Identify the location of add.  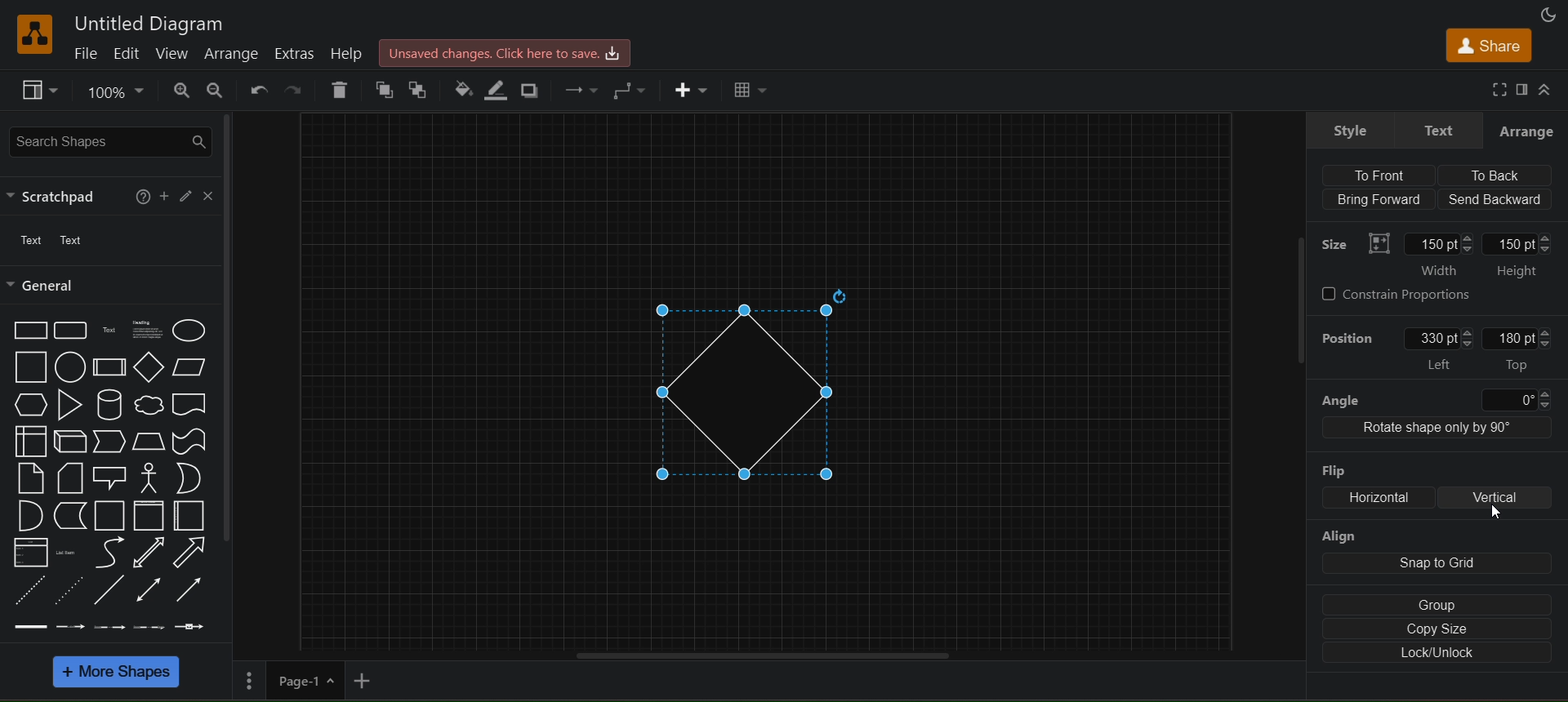
(365, 680).